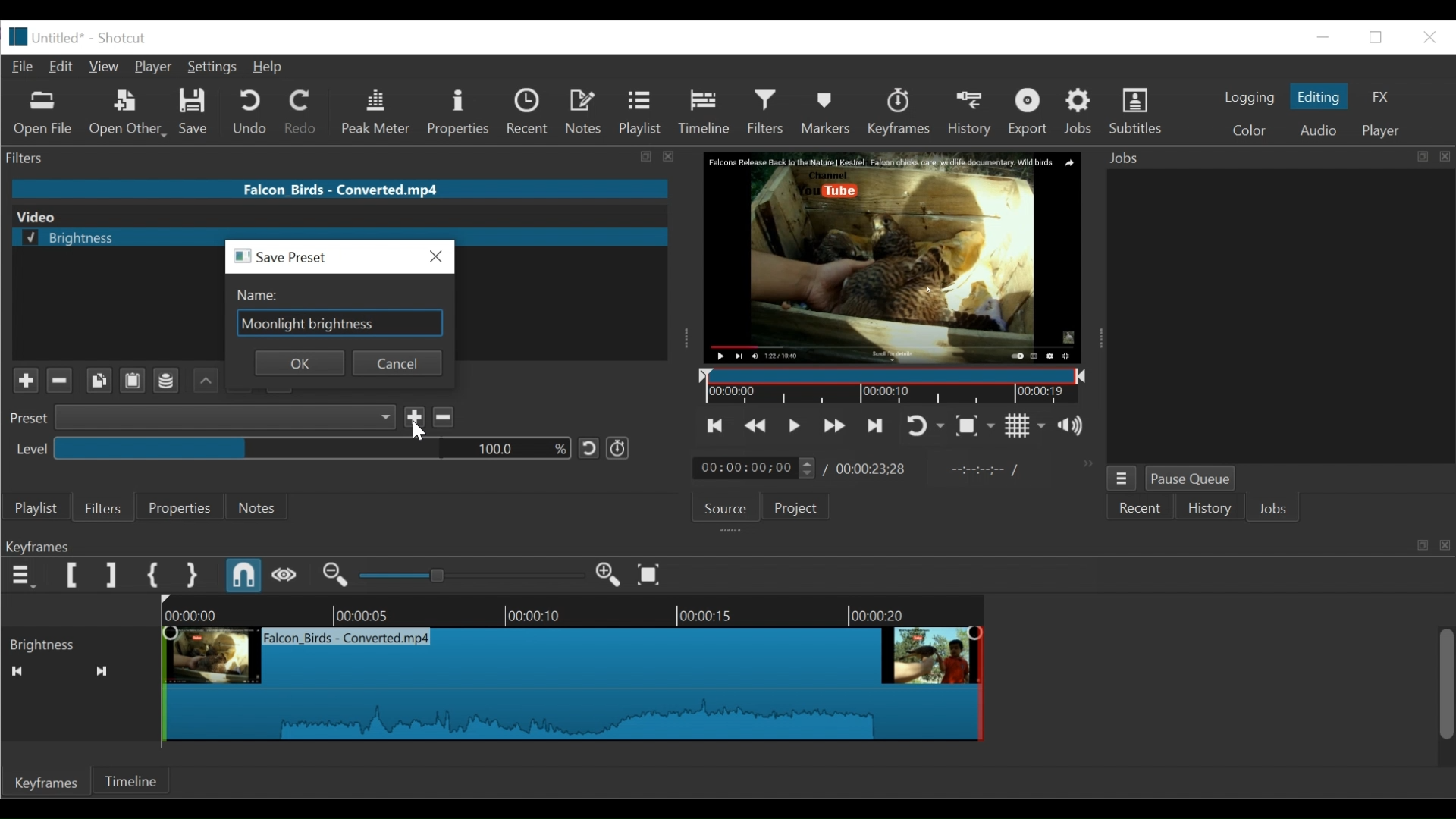 The image size is (1456, 819). I want to click on Set Second Simple Keyframe, so click(190, 575).